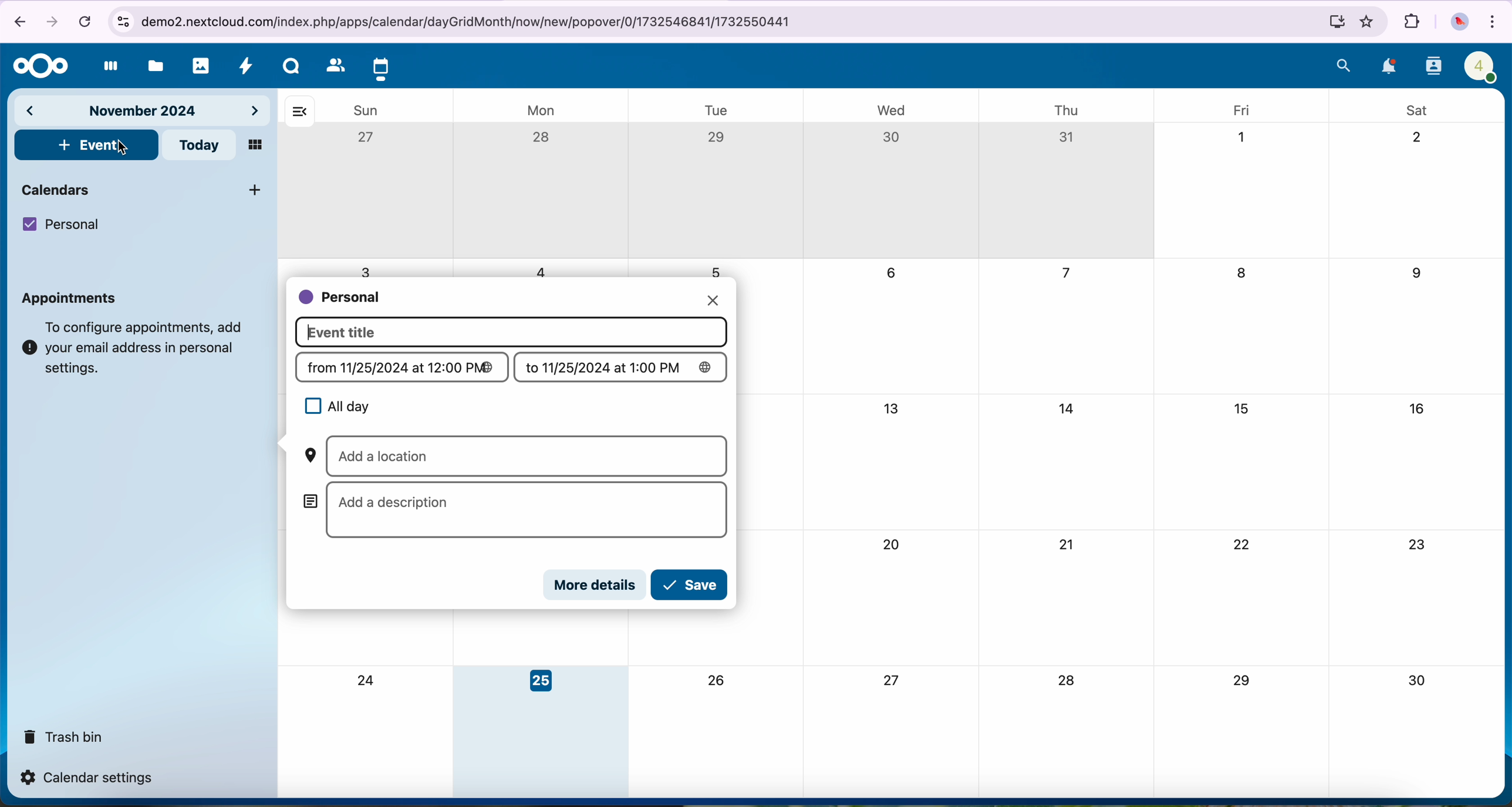 The height and width of the screenshot is (807, 1512). What do you see at coordinates (366, 110) in the screenshot?
I see `sun` at bounding box center [366, 110].